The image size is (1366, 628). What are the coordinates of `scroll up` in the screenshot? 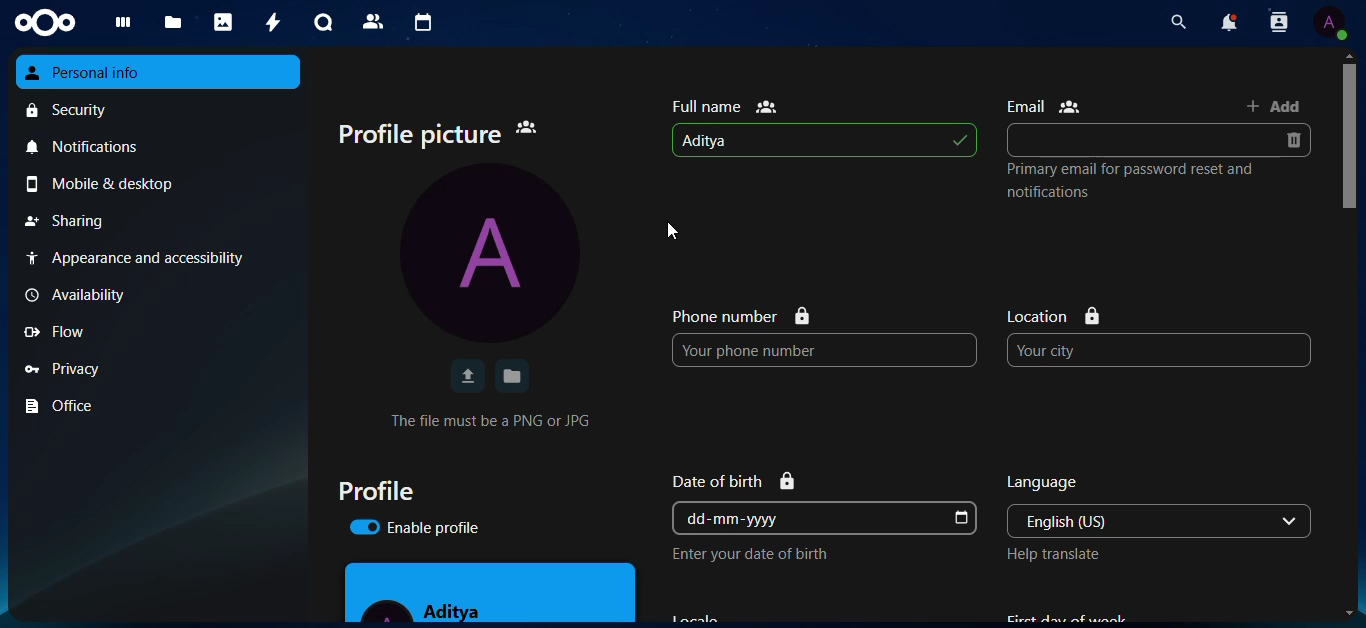 It's located at (1349, 55).